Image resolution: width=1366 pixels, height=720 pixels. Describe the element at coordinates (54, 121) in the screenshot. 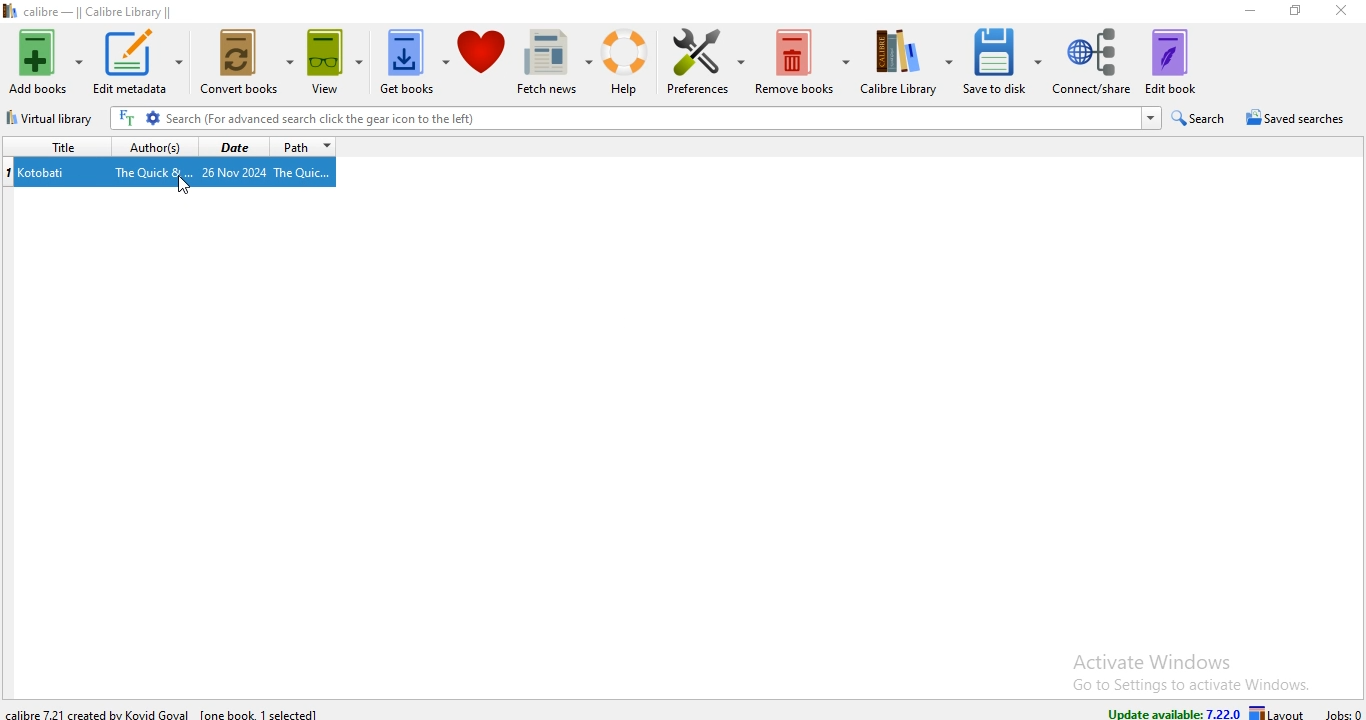

I see `virtual library` at that location.